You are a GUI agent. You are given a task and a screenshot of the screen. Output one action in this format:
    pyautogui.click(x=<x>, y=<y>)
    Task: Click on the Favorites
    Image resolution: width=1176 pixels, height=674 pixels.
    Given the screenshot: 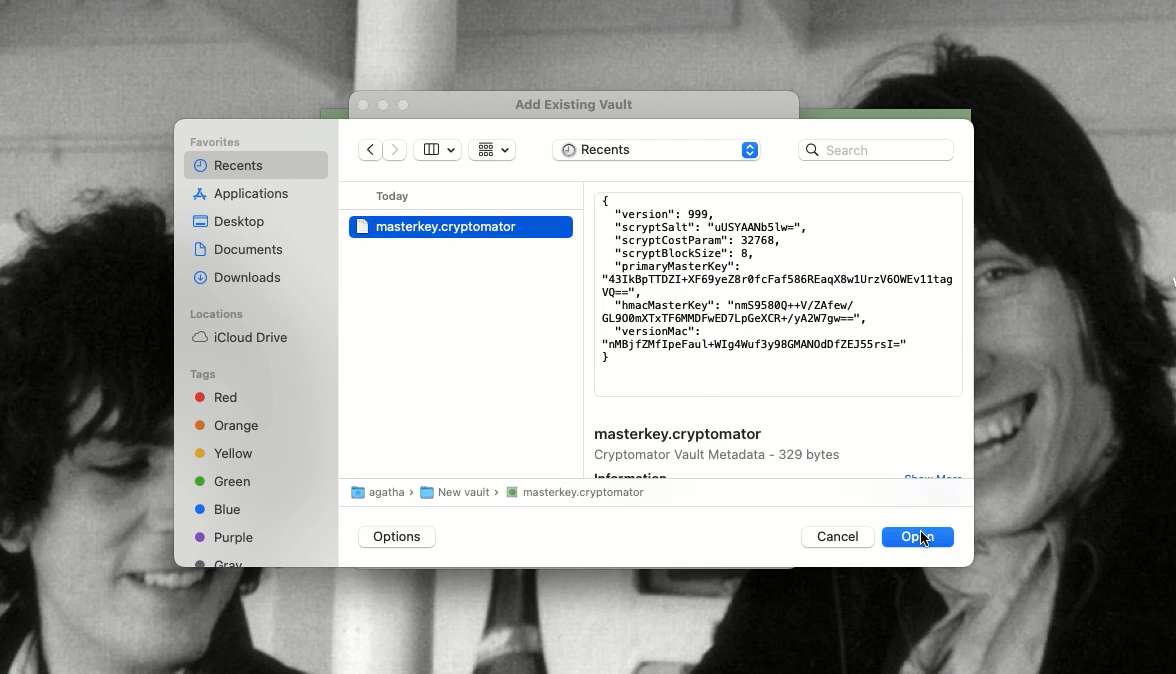 What is the action you would take?
    pyautogui.click(x=219, y=143)
    